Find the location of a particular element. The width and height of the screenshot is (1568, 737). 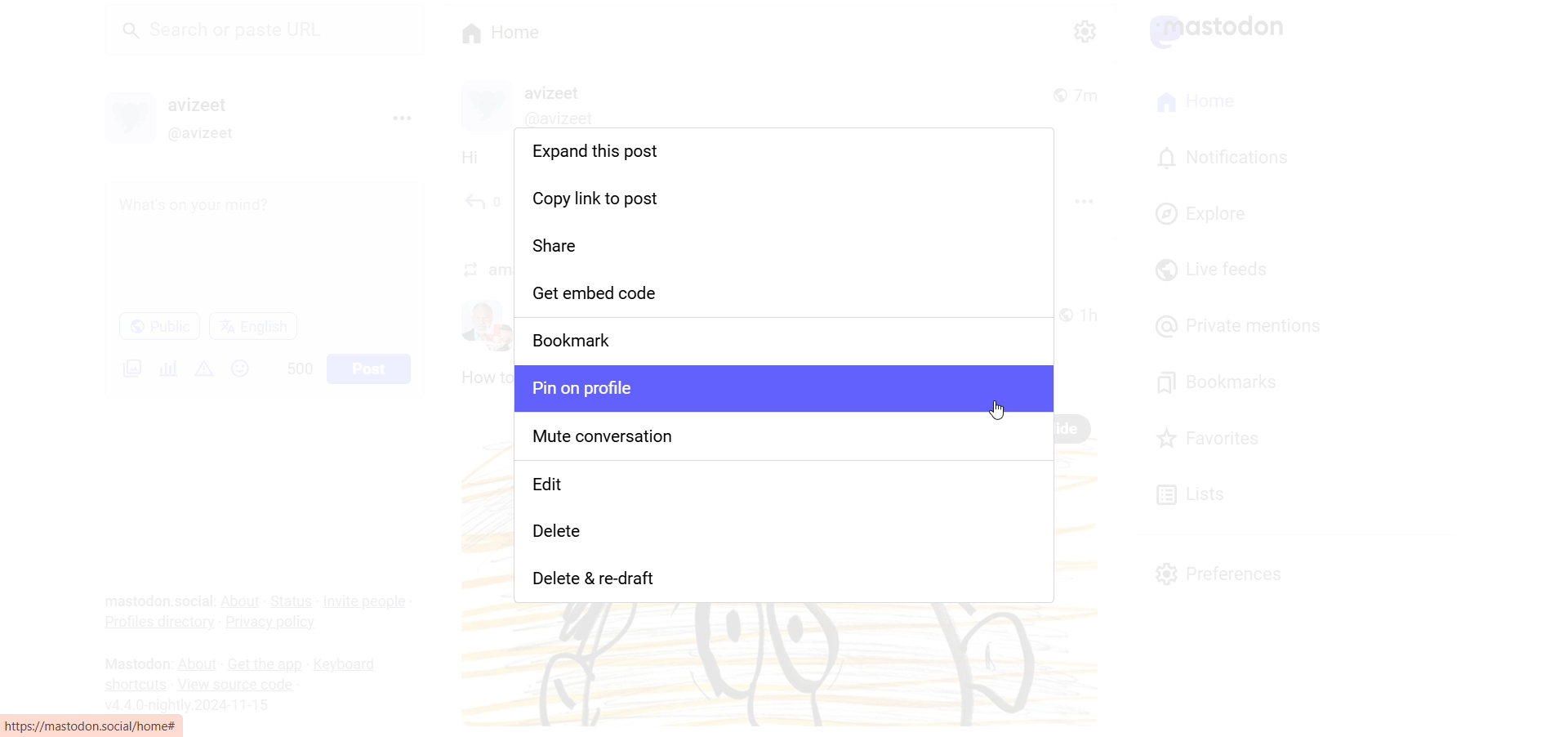

Explore is located at coordinates (1204, 212).